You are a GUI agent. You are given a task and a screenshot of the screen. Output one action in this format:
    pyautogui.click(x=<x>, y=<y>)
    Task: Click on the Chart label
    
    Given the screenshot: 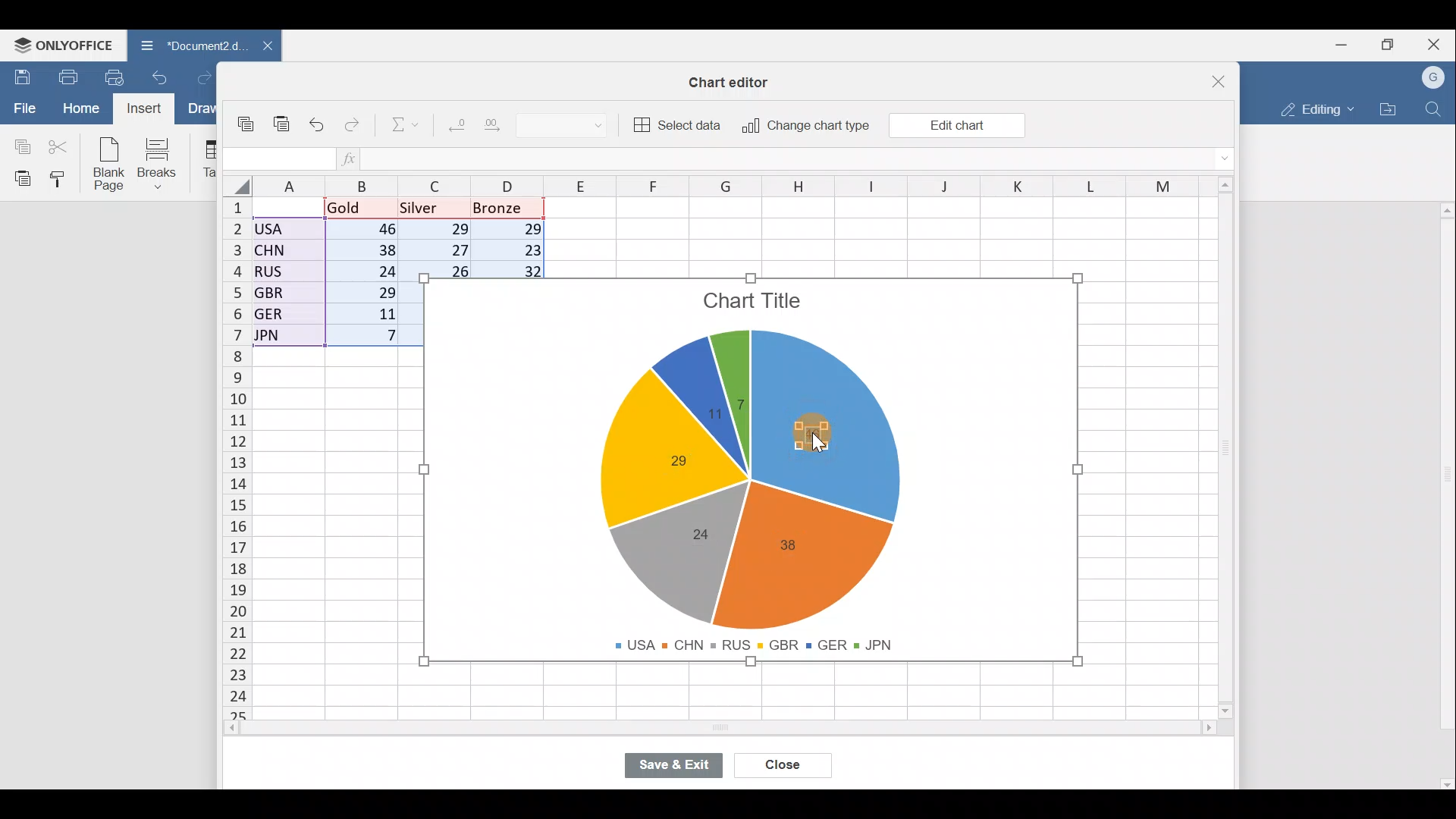 What is the action you would take?
    pyautogui.click(x=740, y=395)
    